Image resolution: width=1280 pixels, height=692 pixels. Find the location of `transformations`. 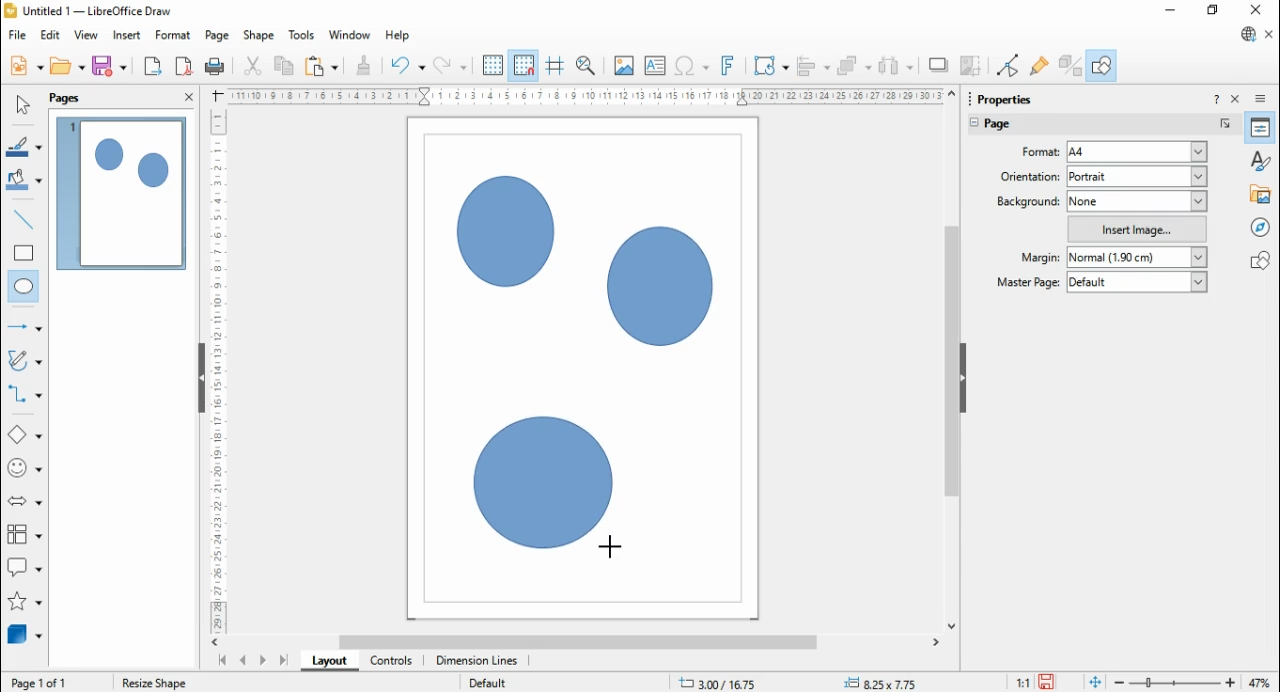

transformations is located at coordinates (769, 67).